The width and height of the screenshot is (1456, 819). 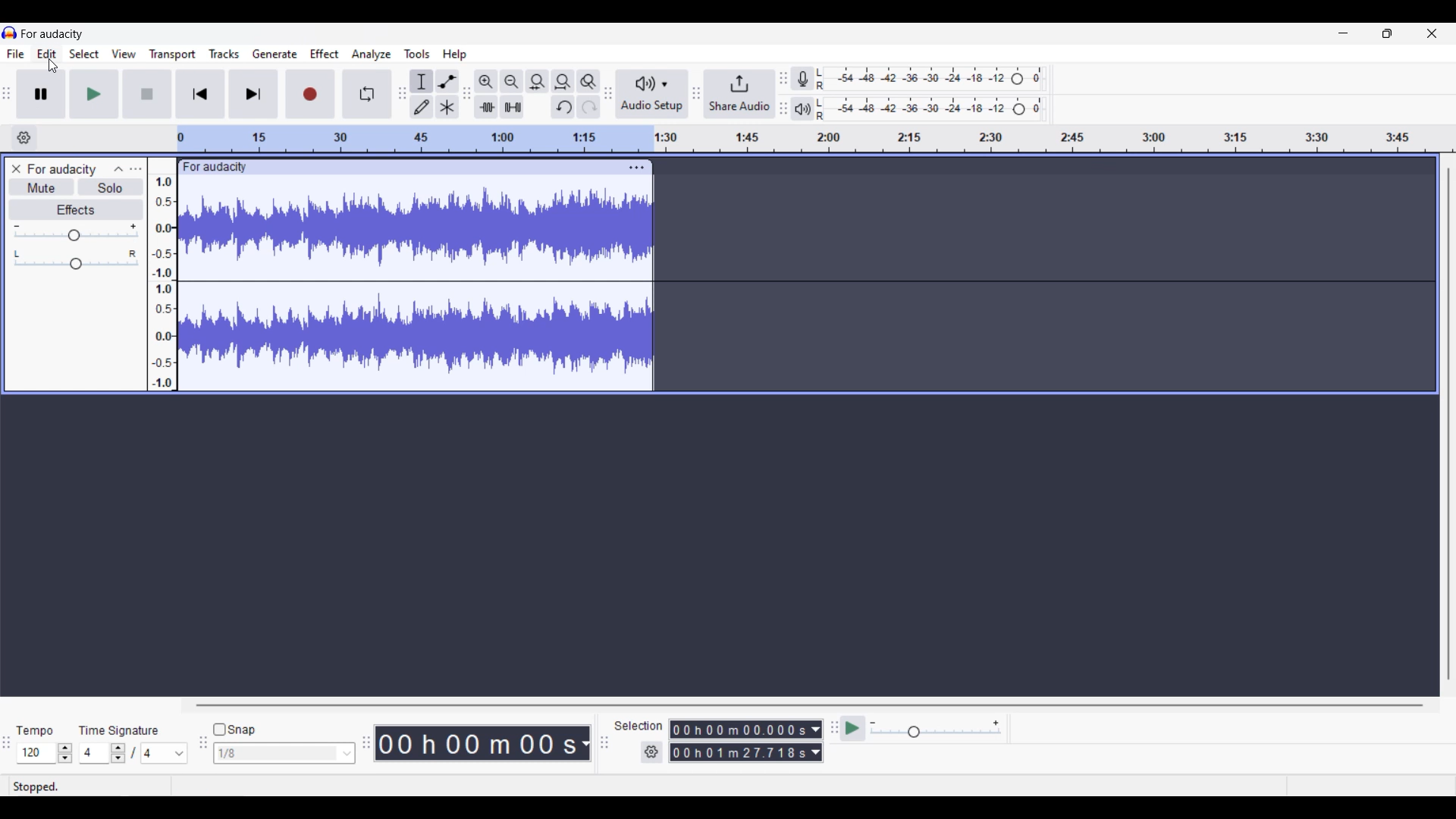 I want to click on tempo, so click(x=35, y=731).